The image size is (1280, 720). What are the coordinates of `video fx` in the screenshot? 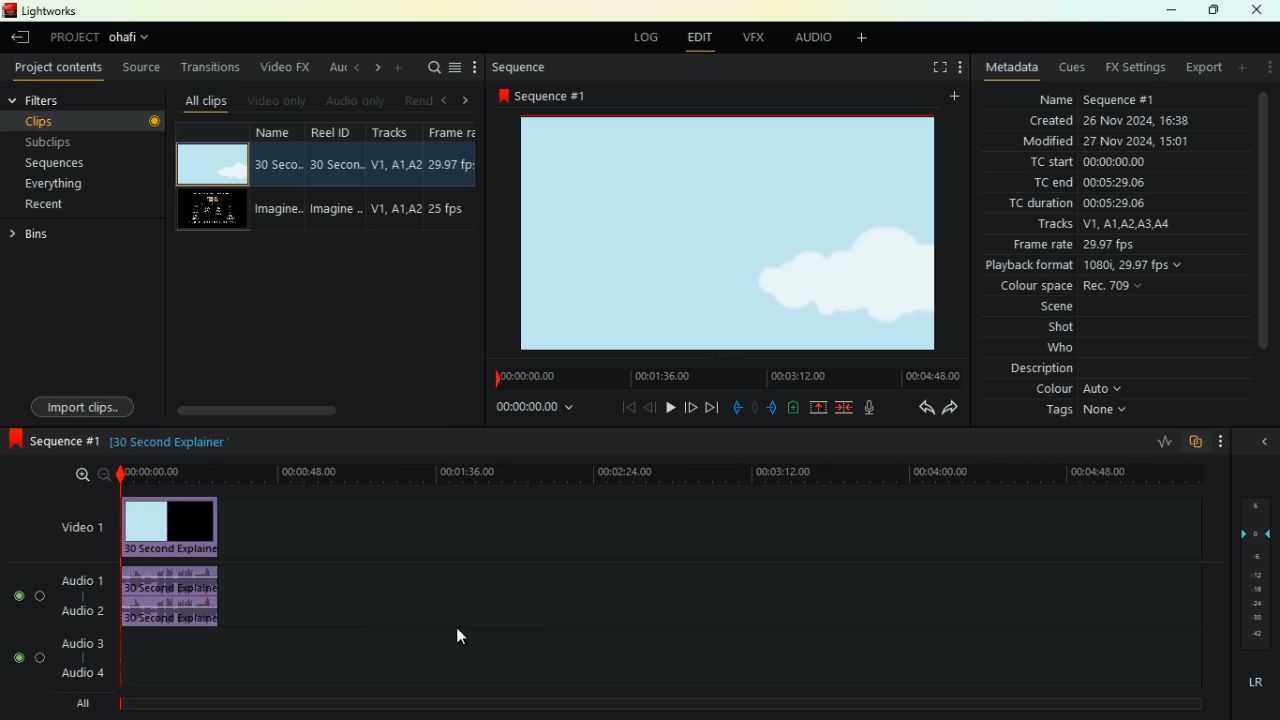 It's located at (282, 66).